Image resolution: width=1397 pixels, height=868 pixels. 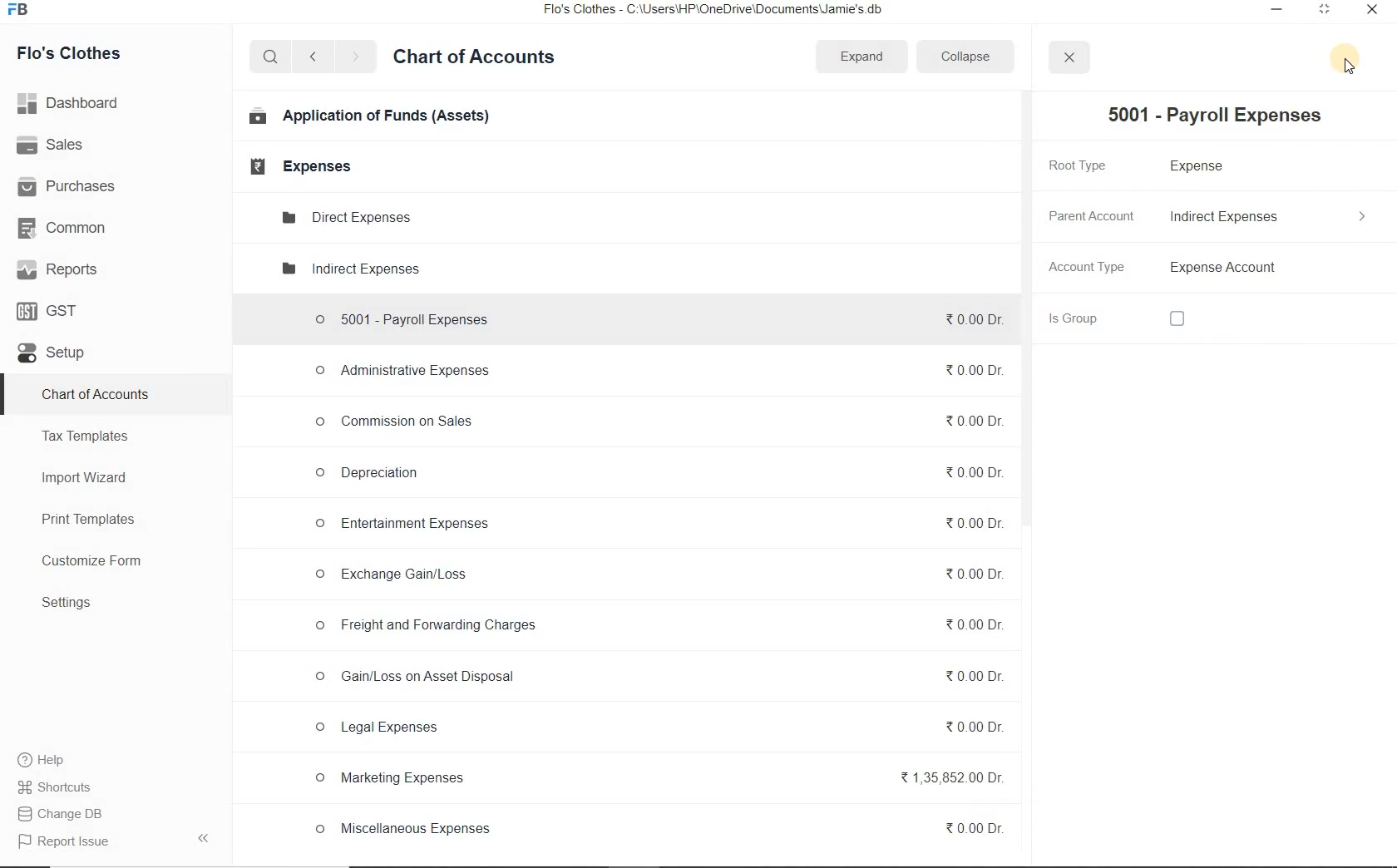 What do you see at coordinates (86, 477) in the screenshot?
I see `Import Wizard` at bounding box center [86, 477].